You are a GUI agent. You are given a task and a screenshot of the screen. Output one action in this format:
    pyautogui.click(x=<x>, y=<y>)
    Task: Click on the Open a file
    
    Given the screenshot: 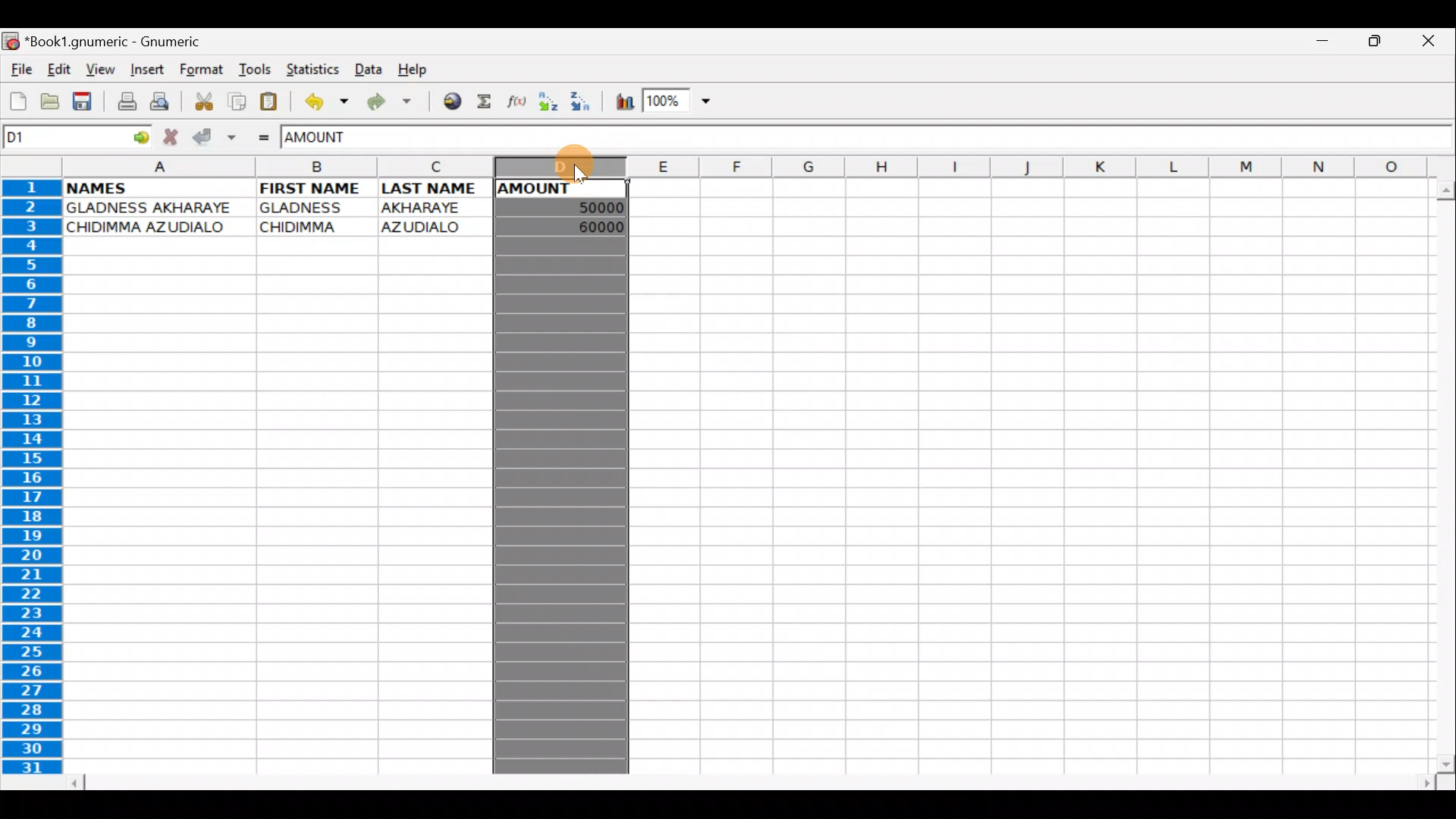 What is the action you would take?
    pyautogui.click(x=46, y=104)
    